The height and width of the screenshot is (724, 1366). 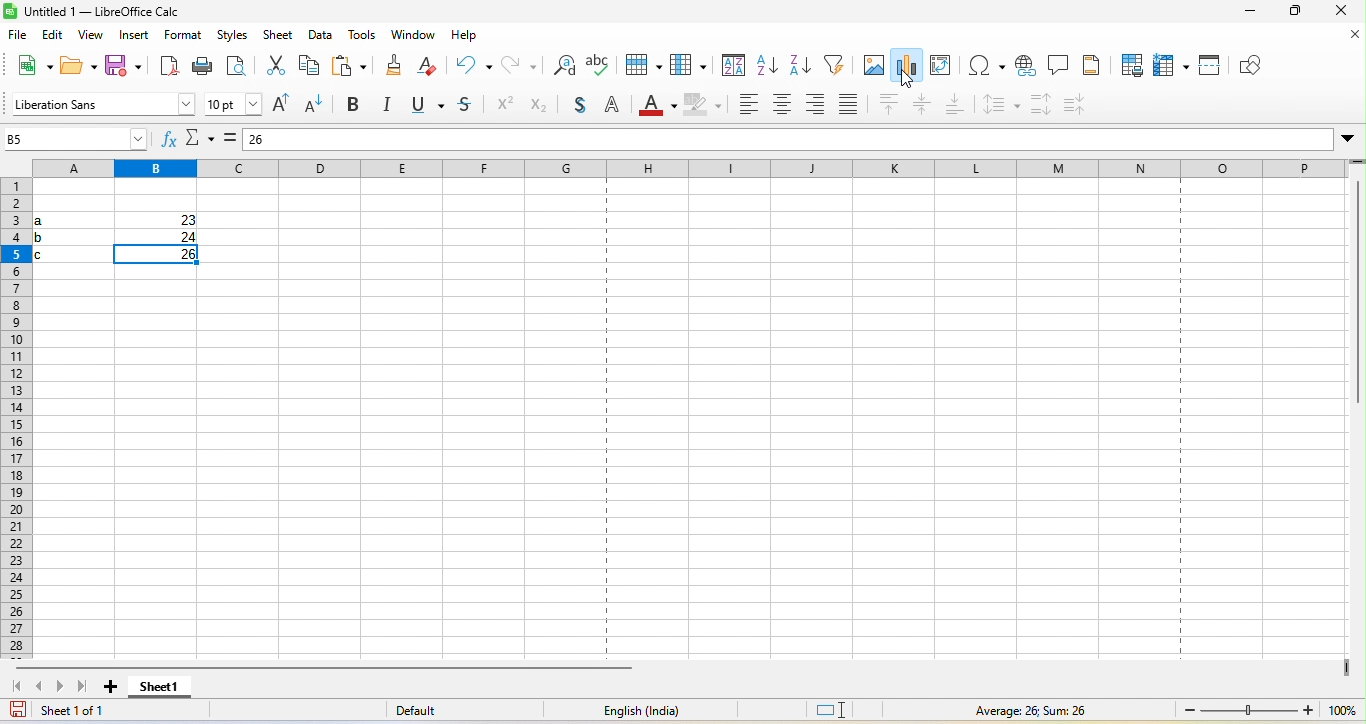 I want to click on view, so click(x=94, y=39).